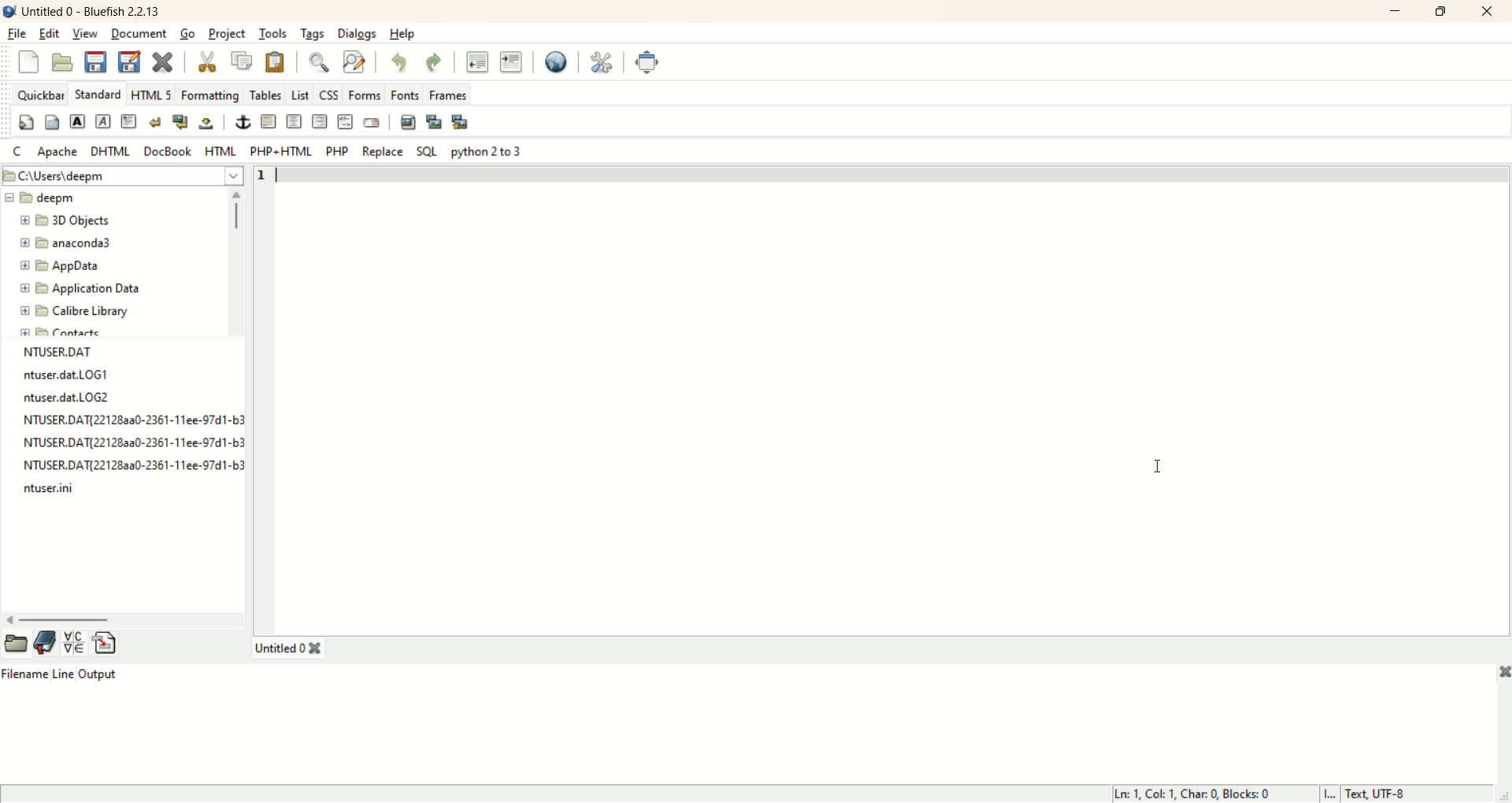  I want to click on insert file, so click(106, 642).